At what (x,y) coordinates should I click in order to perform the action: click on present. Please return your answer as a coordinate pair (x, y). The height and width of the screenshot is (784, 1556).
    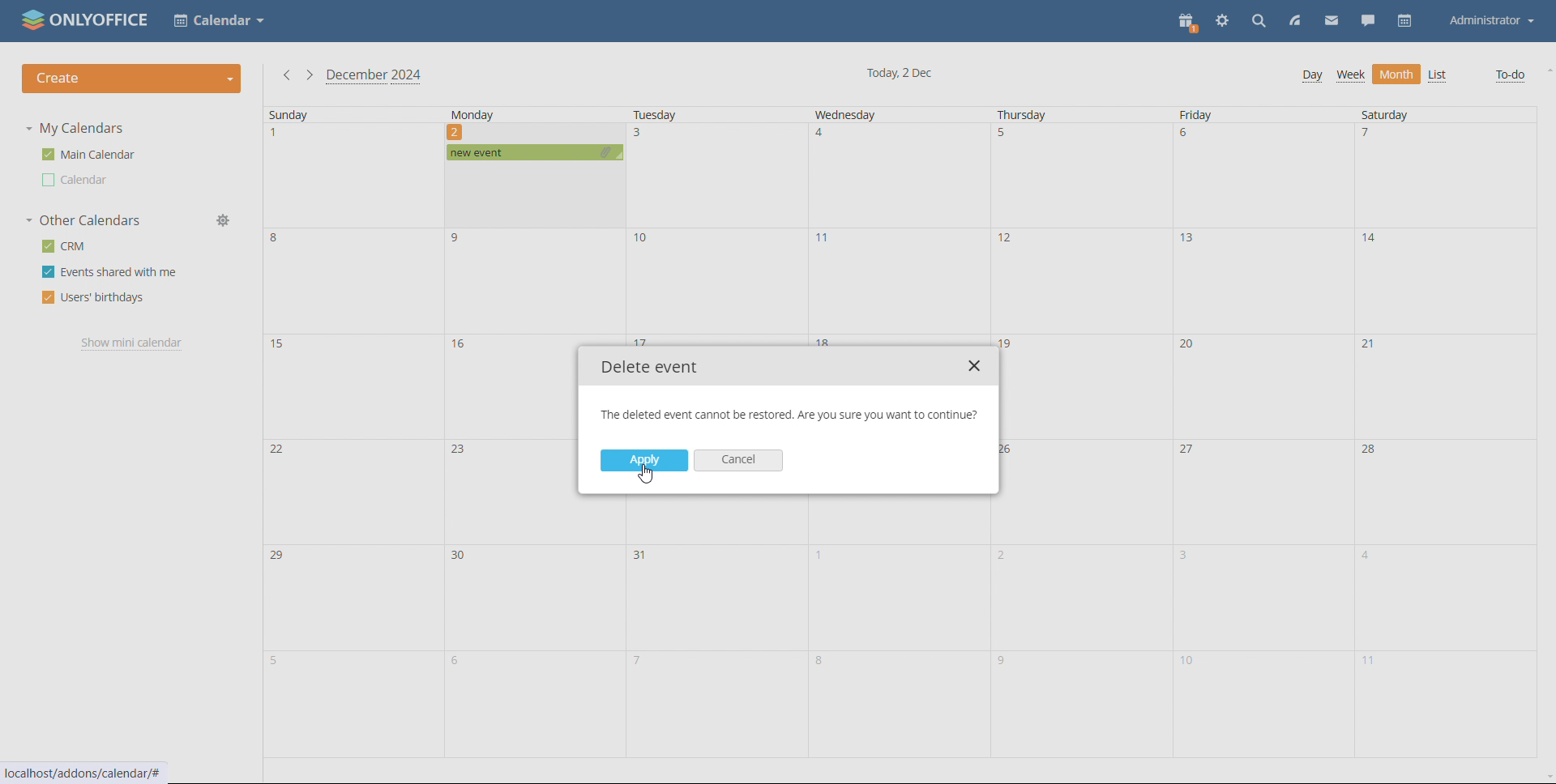
    Looking at the image, I should click on (1186, 21).